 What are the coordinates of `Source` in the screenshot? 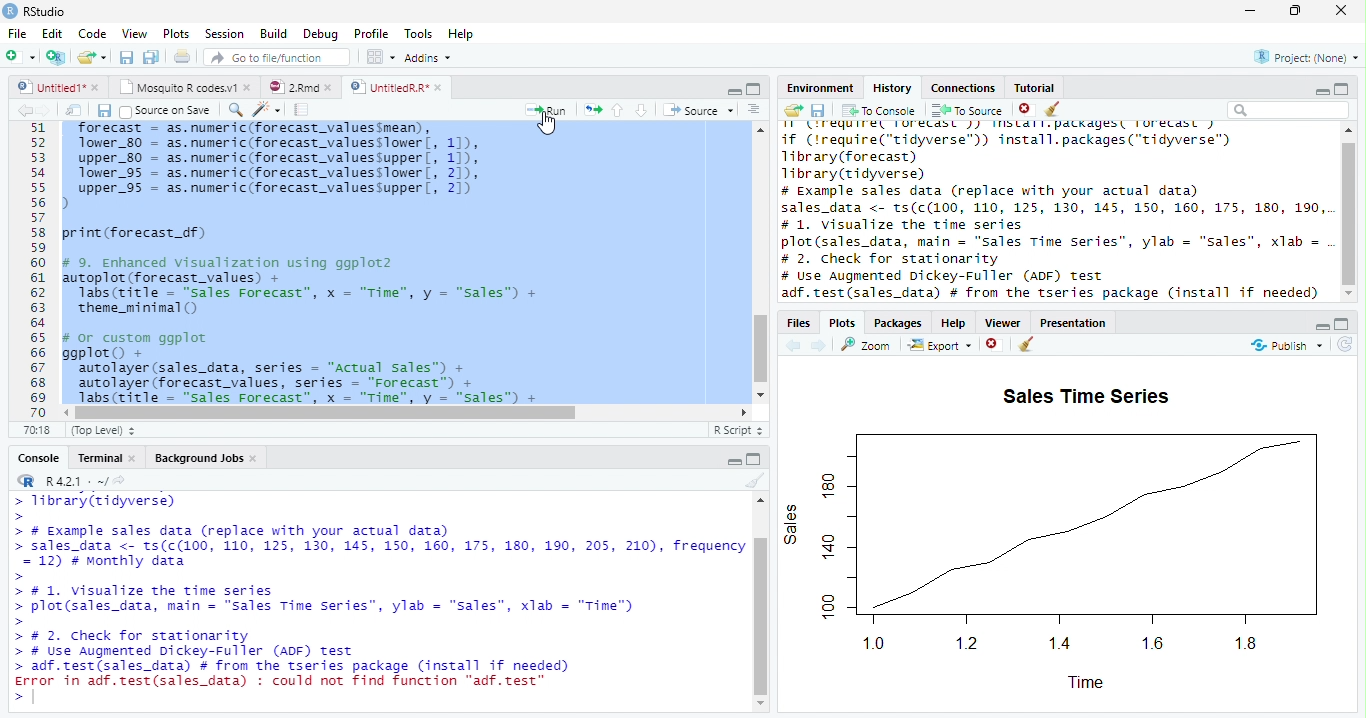 It's located at (699, 110).